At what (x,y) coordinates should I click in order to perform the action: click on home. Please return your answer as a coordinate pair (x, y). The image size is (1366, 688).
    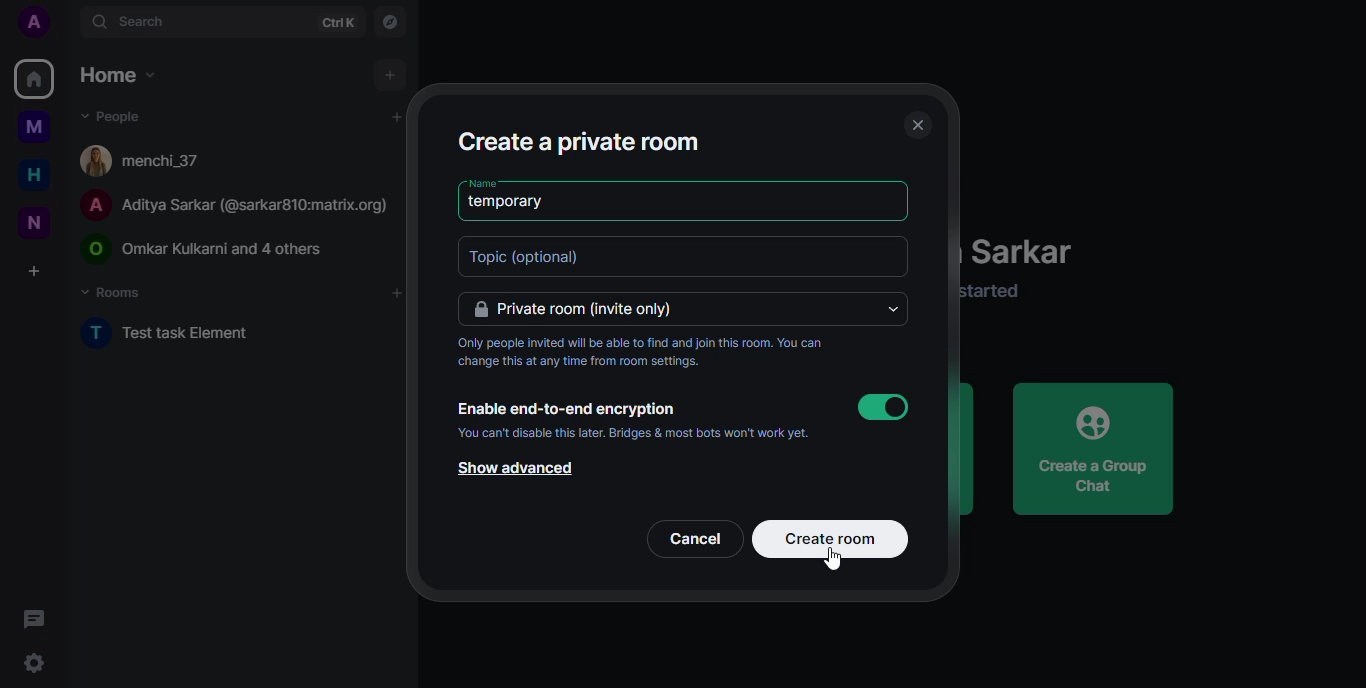
    Looking at the image, I should click on (33, 78).